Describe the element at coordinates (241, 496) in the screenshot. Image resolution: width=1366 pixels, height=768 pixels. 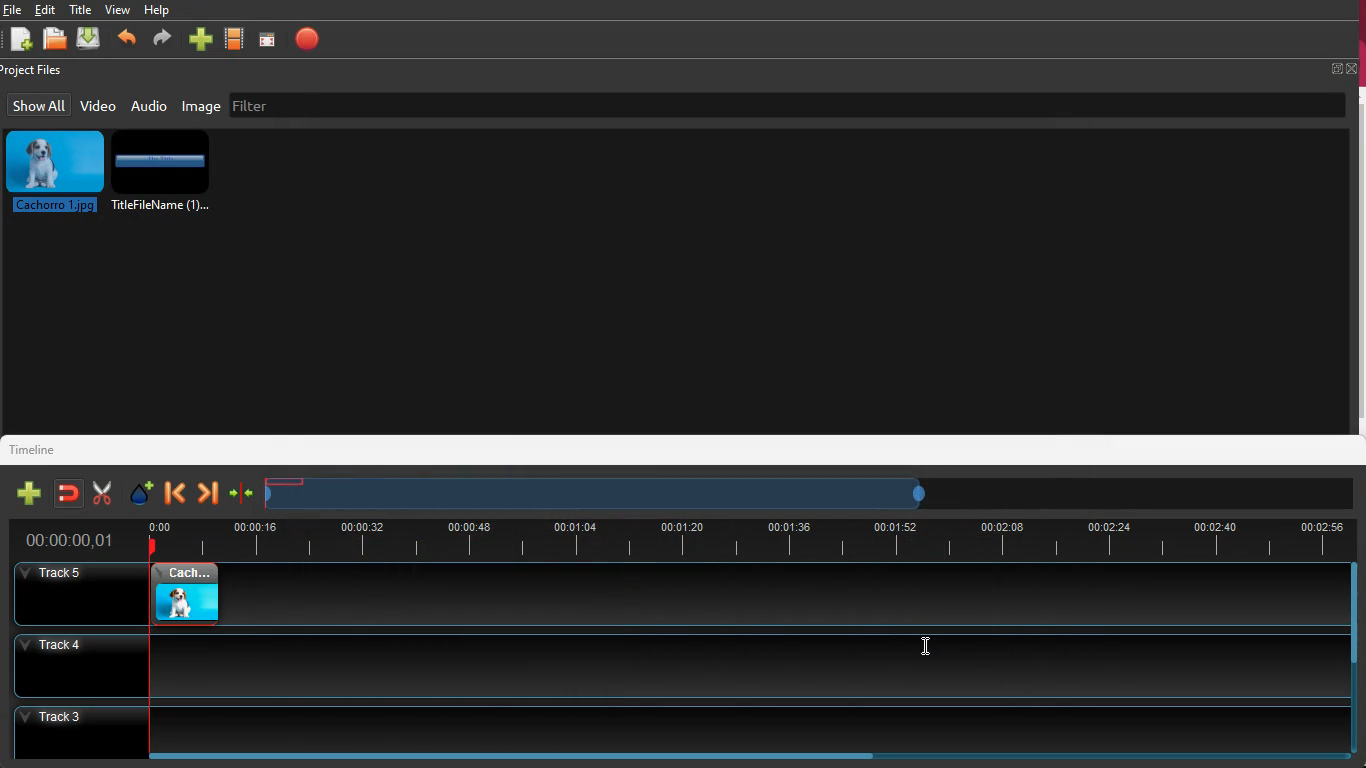
I see `compress` at that location.